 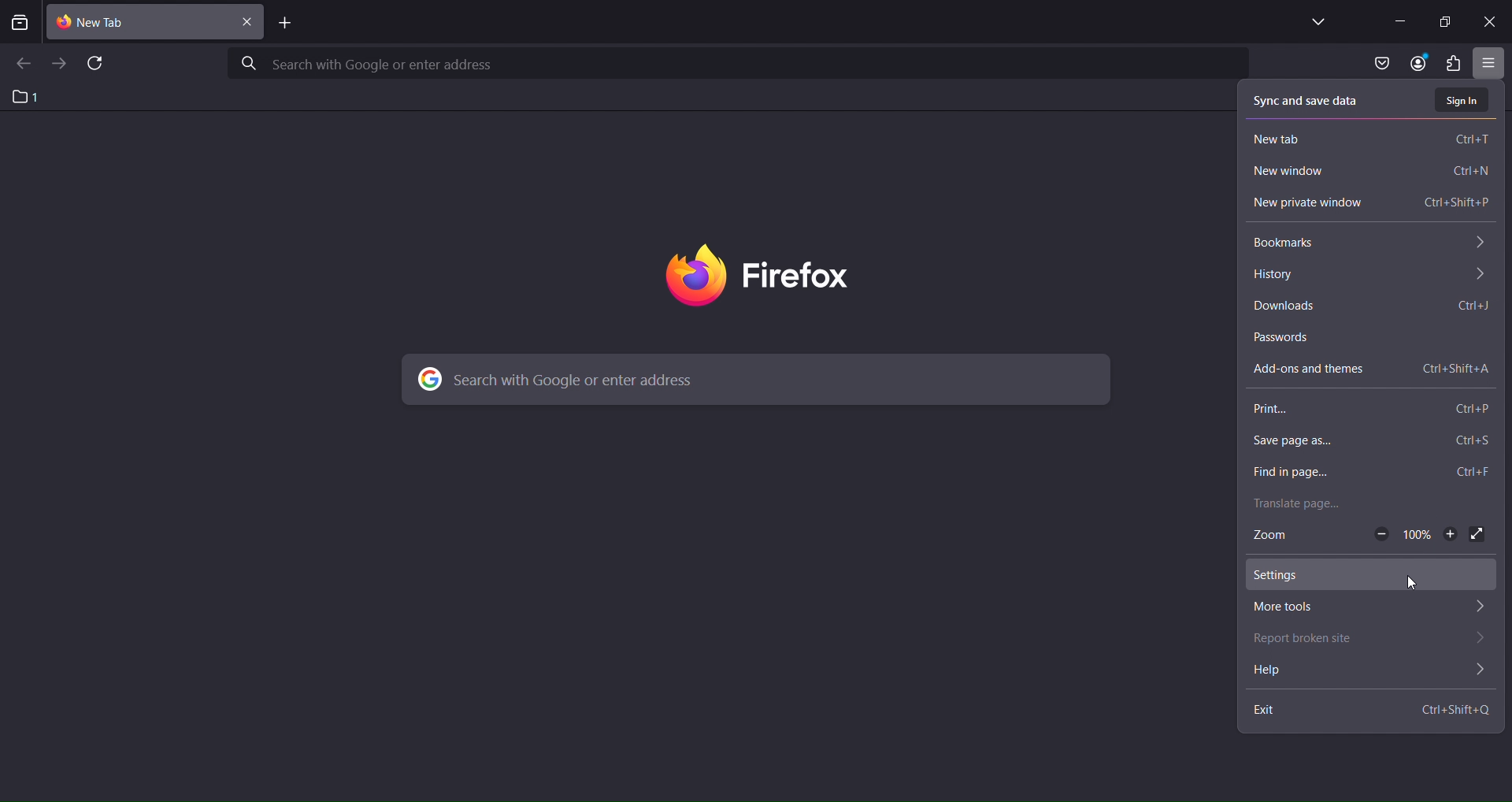 I want to click on translate page, so click(x=1367, y=506).